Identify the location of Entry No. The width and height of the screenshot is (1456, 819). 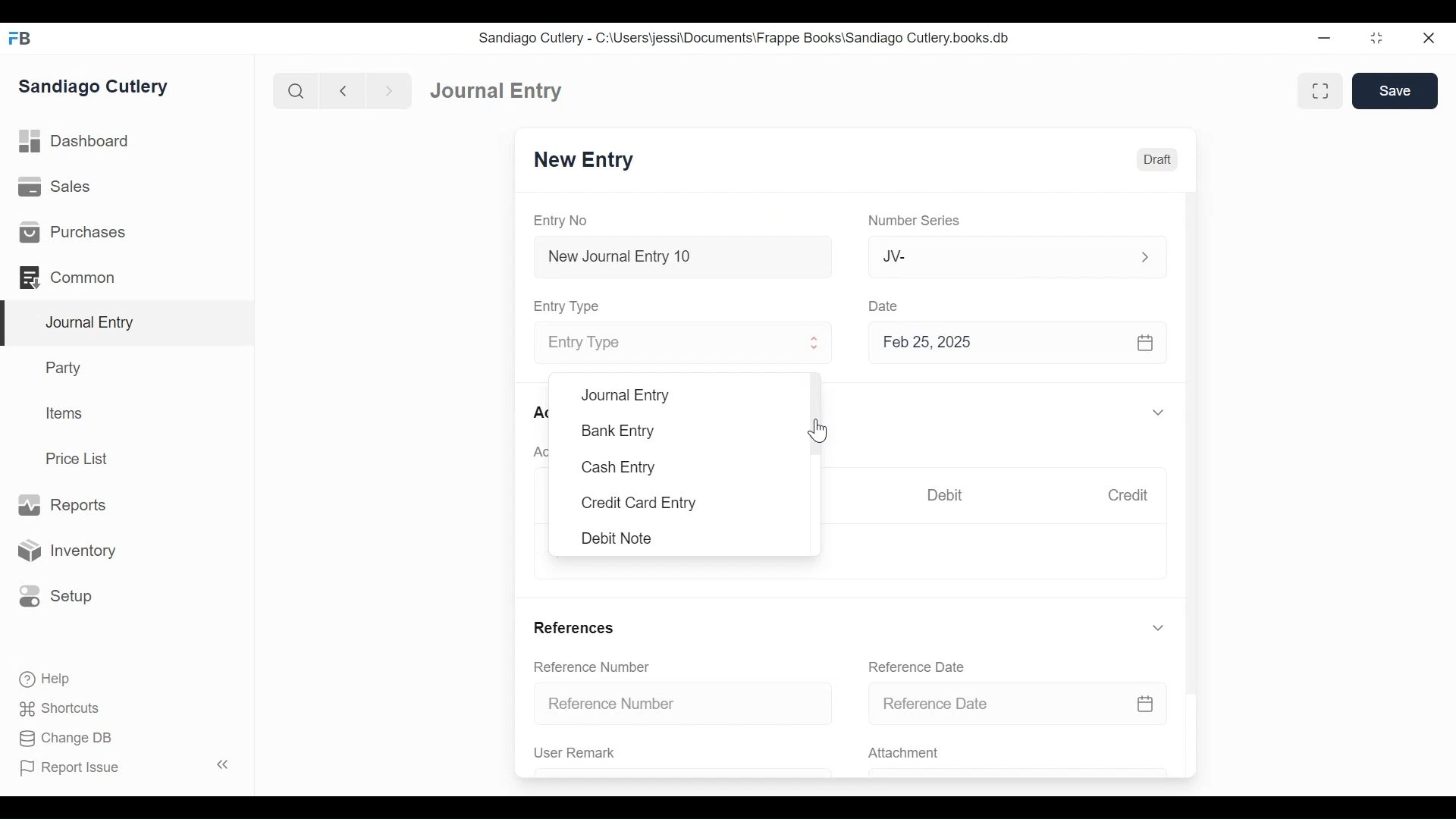
(565, 220).